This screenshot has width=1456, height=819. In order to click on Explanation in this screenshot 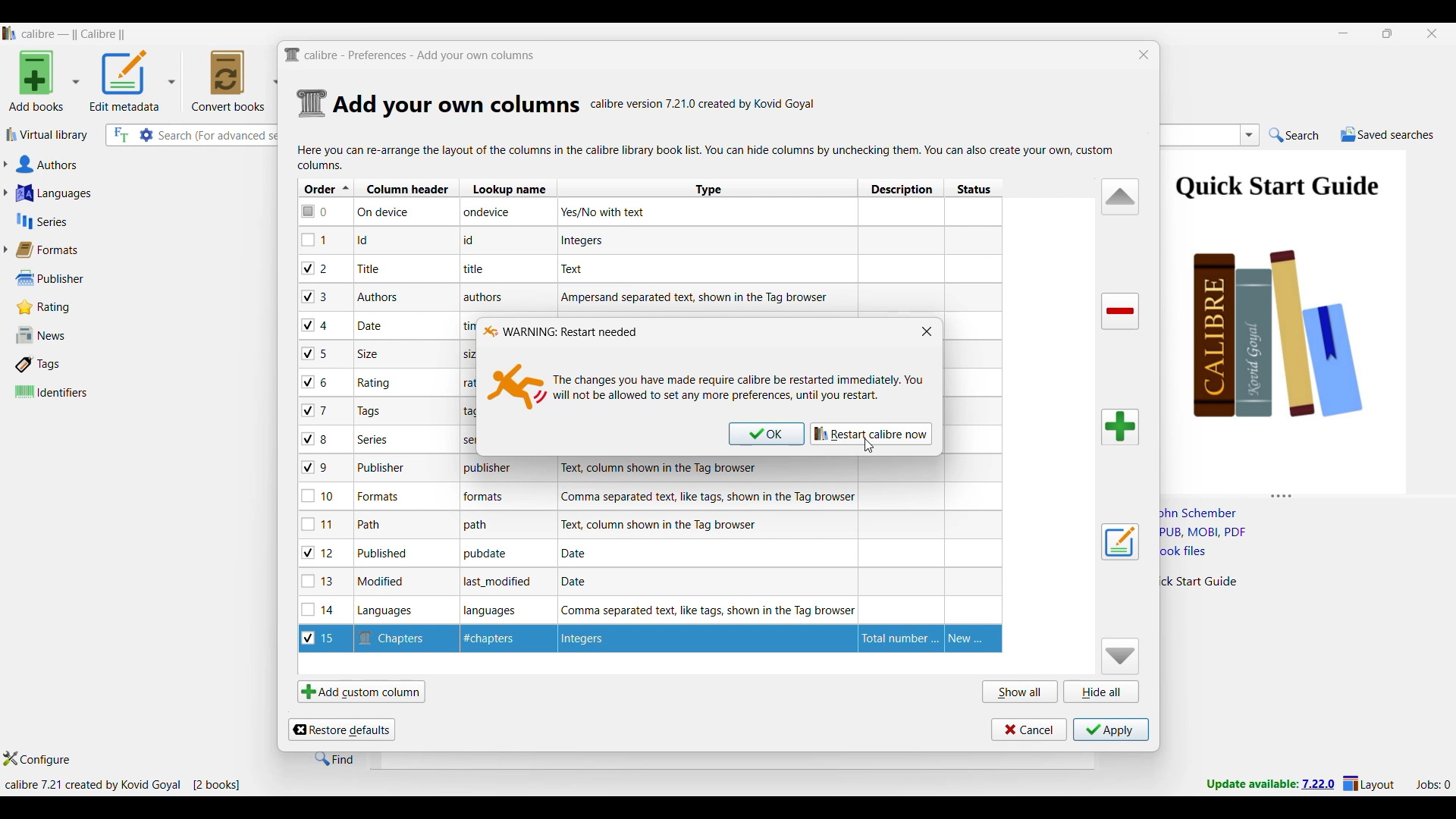, I will do `click(664, 525)`.